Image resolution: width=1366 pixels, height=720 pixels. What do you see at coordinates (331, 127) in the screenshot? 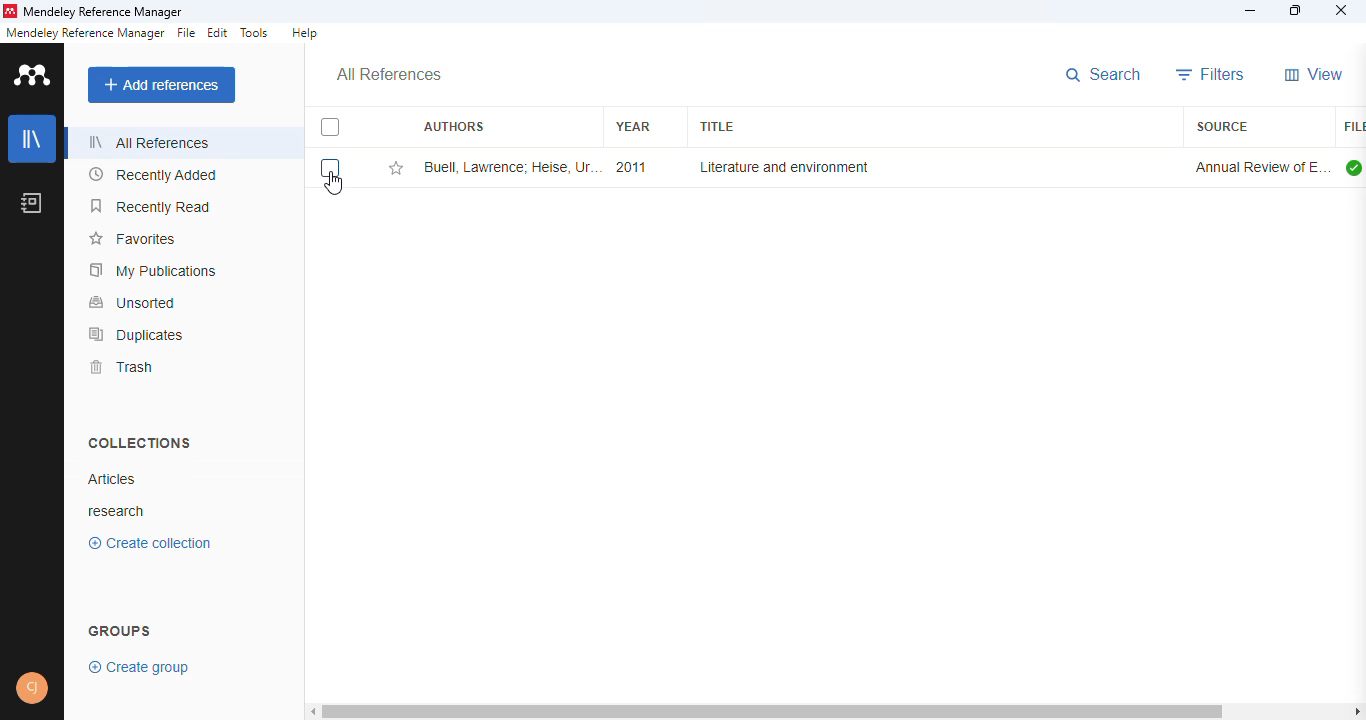
I see `select` at bounding box center [331, 127].